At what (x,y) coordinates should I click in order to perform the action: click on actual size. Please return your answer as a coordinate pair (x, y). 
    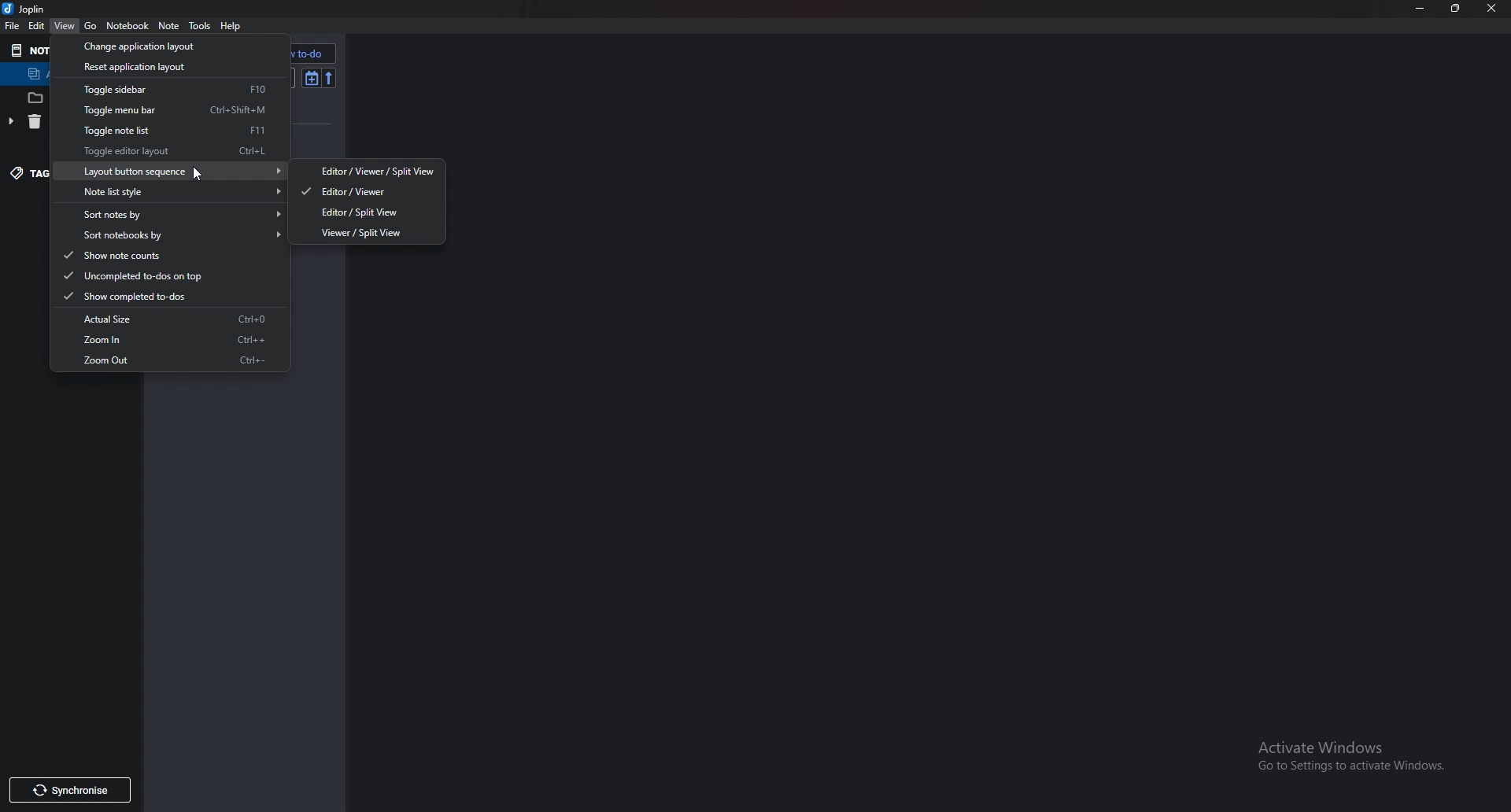
    Looking at the image, I should click on (168, 319).